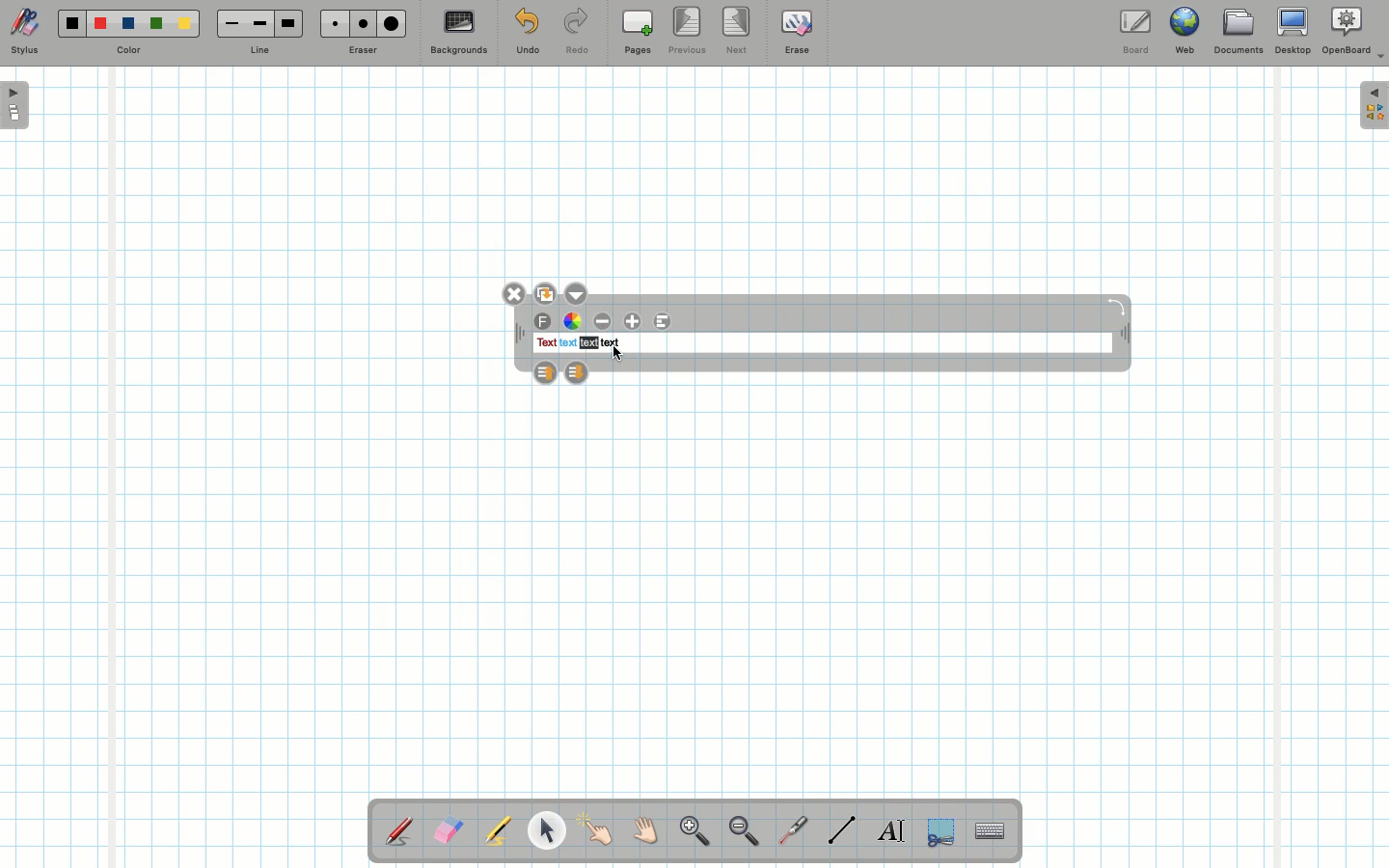 The height and width of the screenshot is (868, 1389). What do you see at coordinates (991, 826) in the screenshot?
I see `Text input` at bounding box center [991, 826].